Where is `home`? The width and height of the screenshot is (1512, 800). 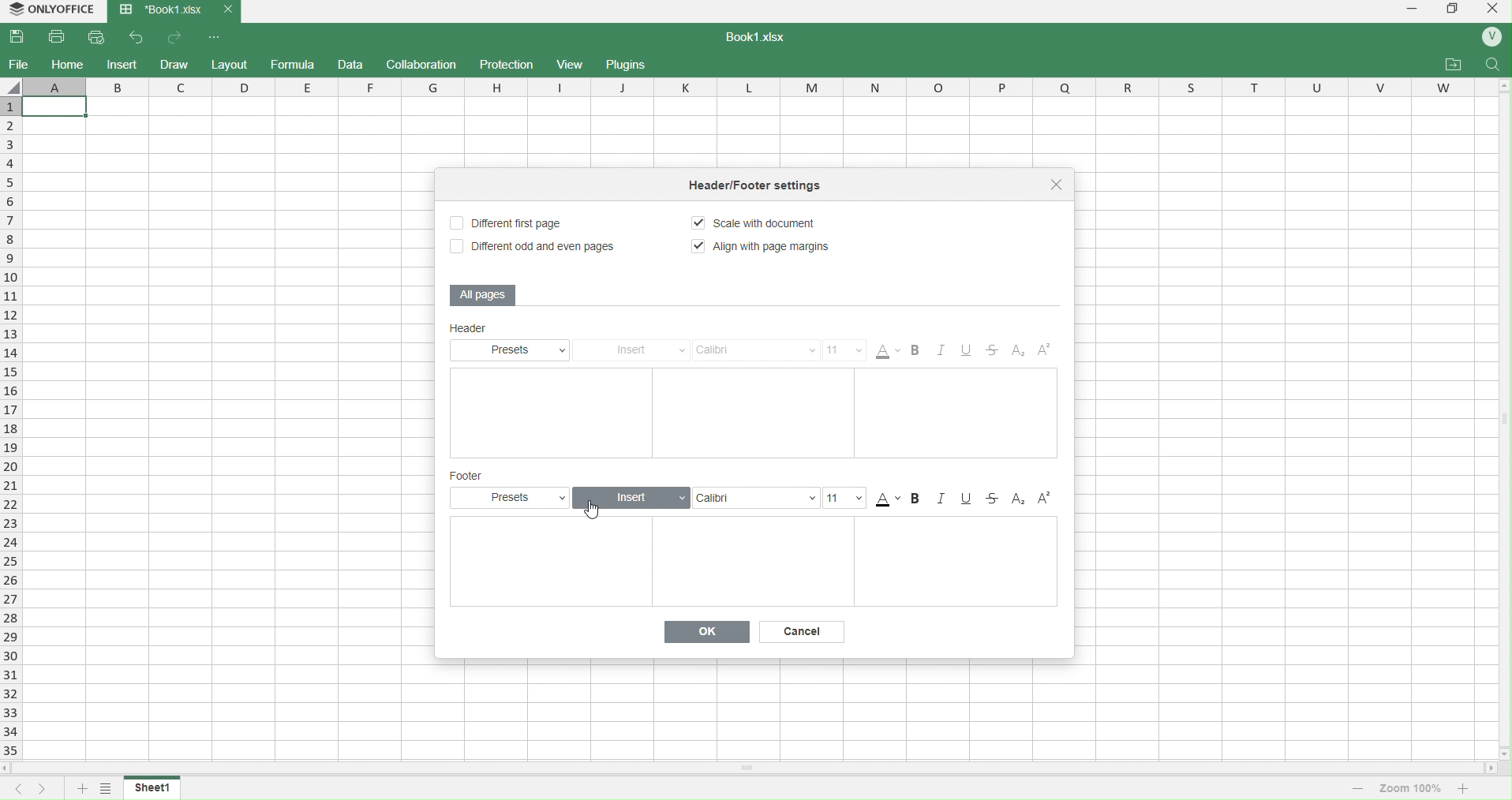
home is located at coordinates (68, 64).